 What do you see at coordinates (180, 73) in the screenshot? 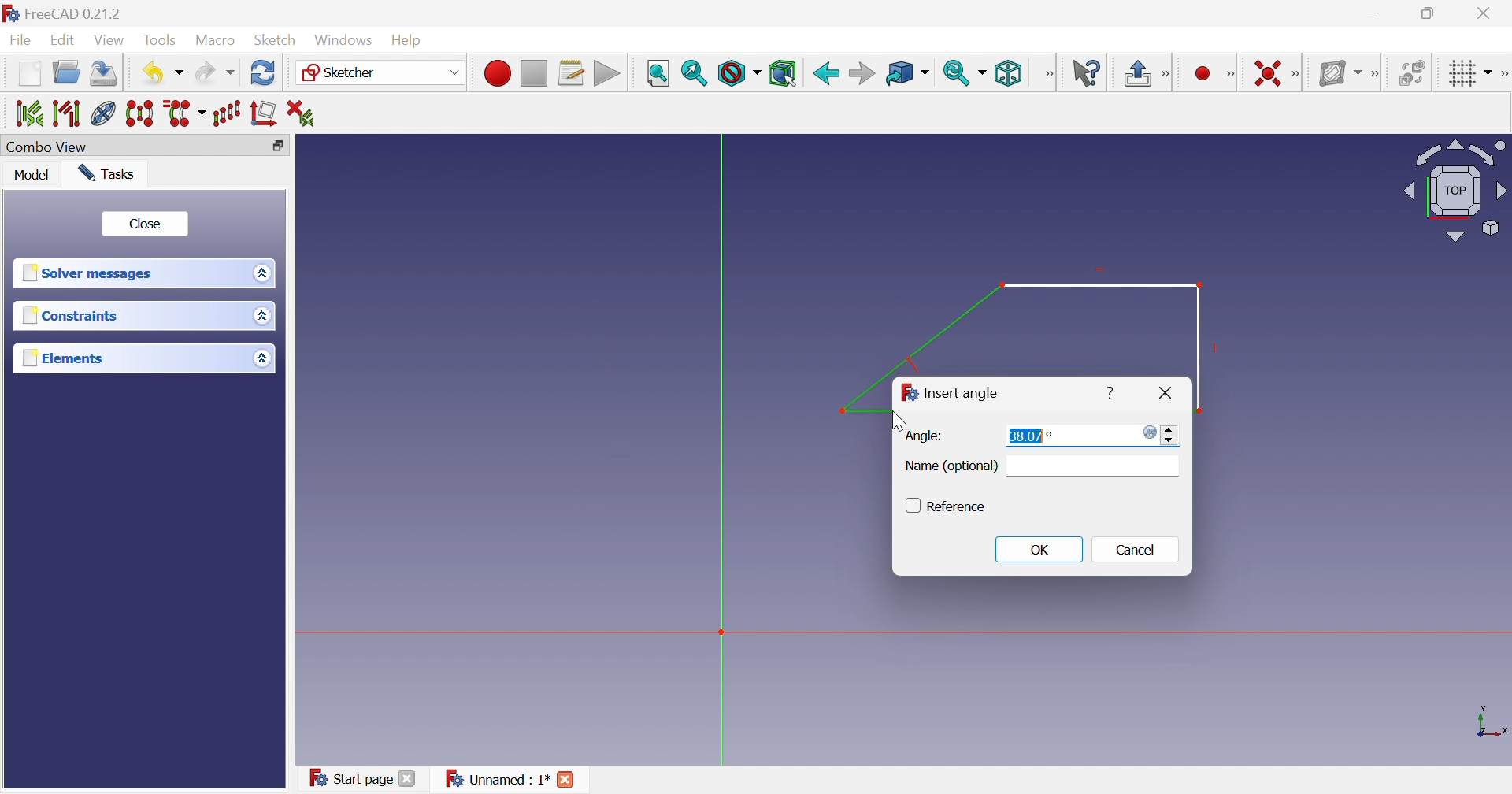
I see `Drop Down` at bounding box center [180, 73].